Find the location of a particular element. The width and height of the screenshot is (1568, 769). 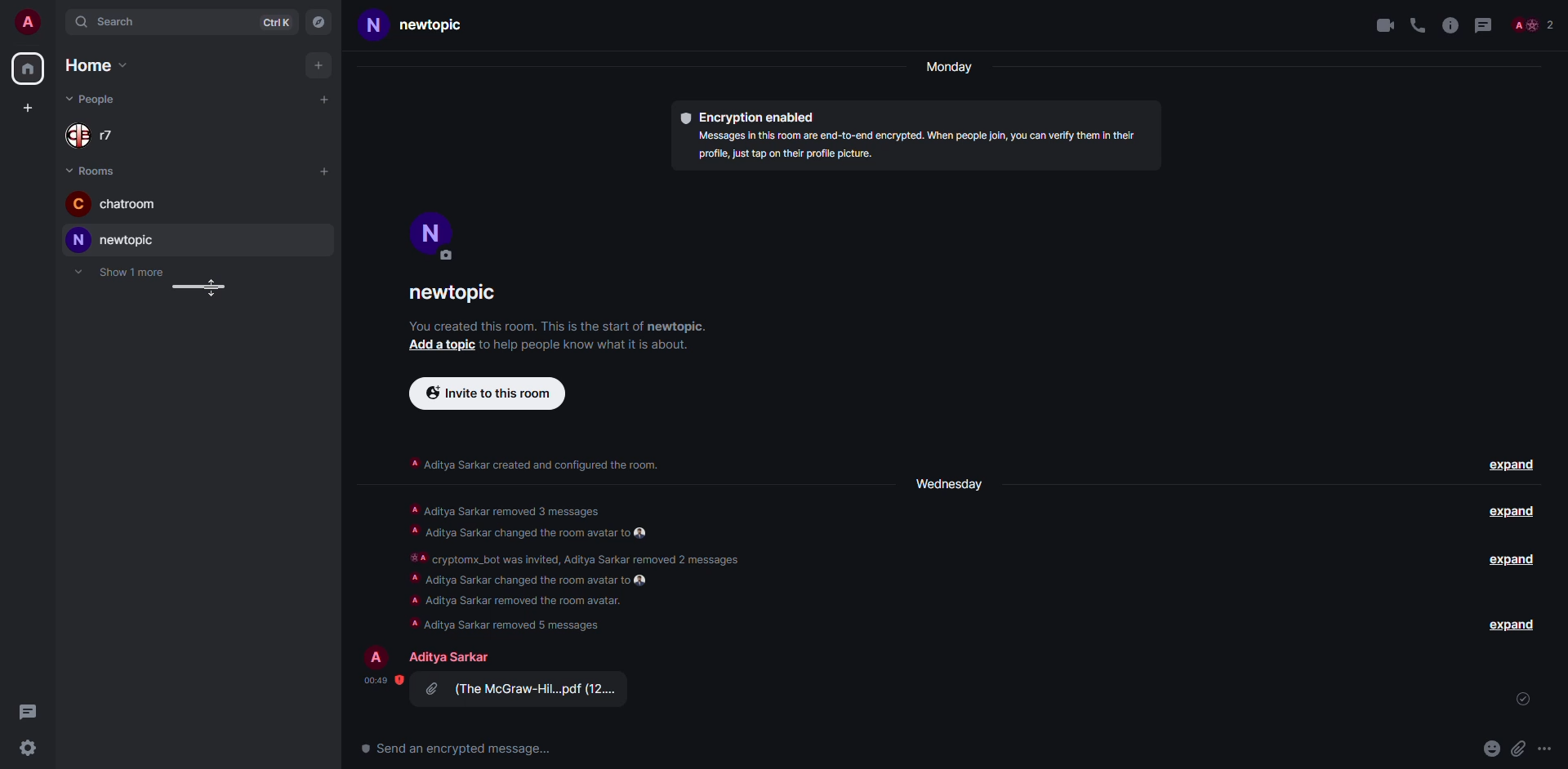

home is located at coordinates (28, 69).